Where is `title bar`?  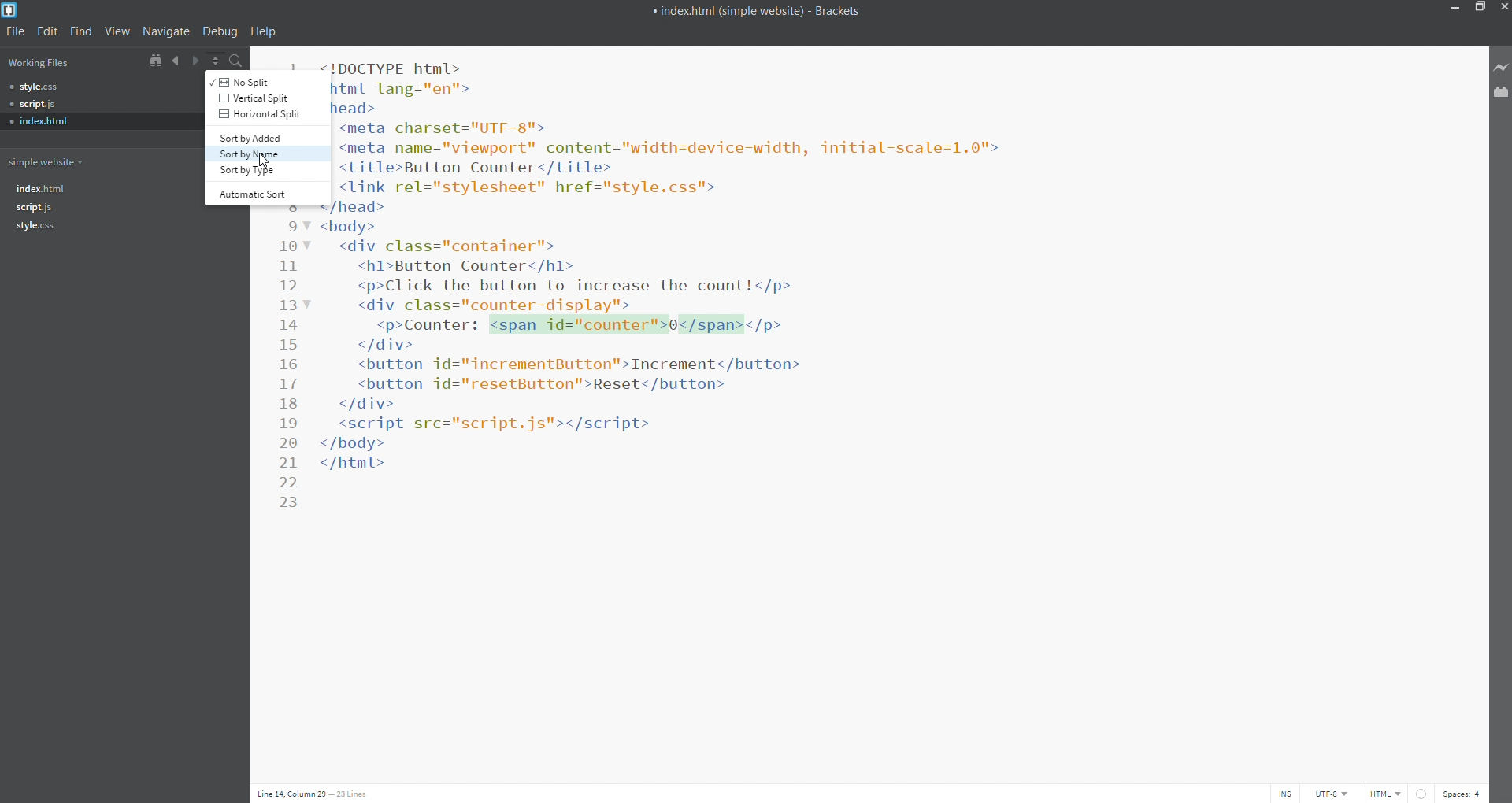 title bar is located at coordinates (717, 8).